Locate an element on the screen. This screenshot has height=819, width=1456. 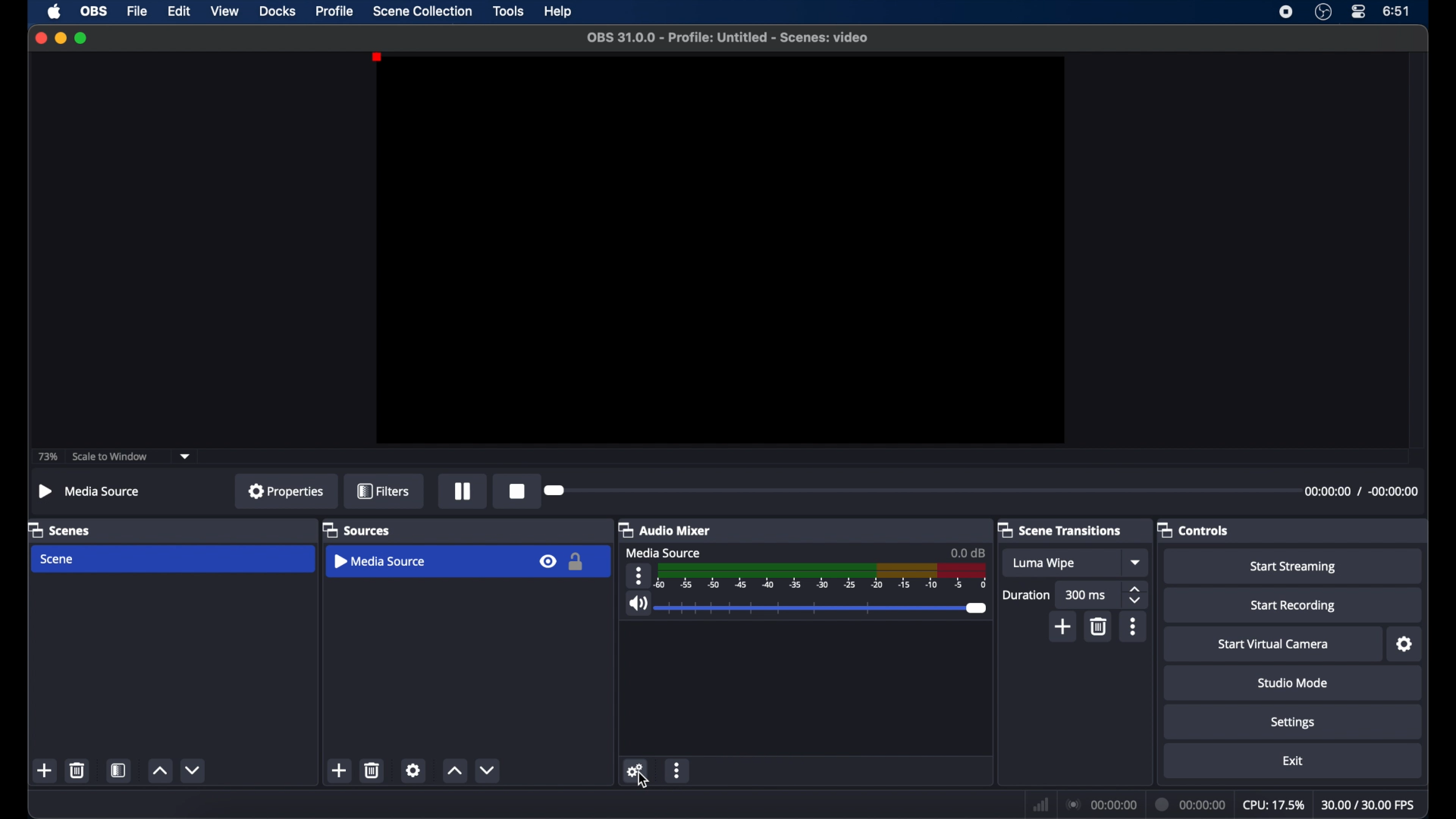
delete is located at coordinates (373, 770).